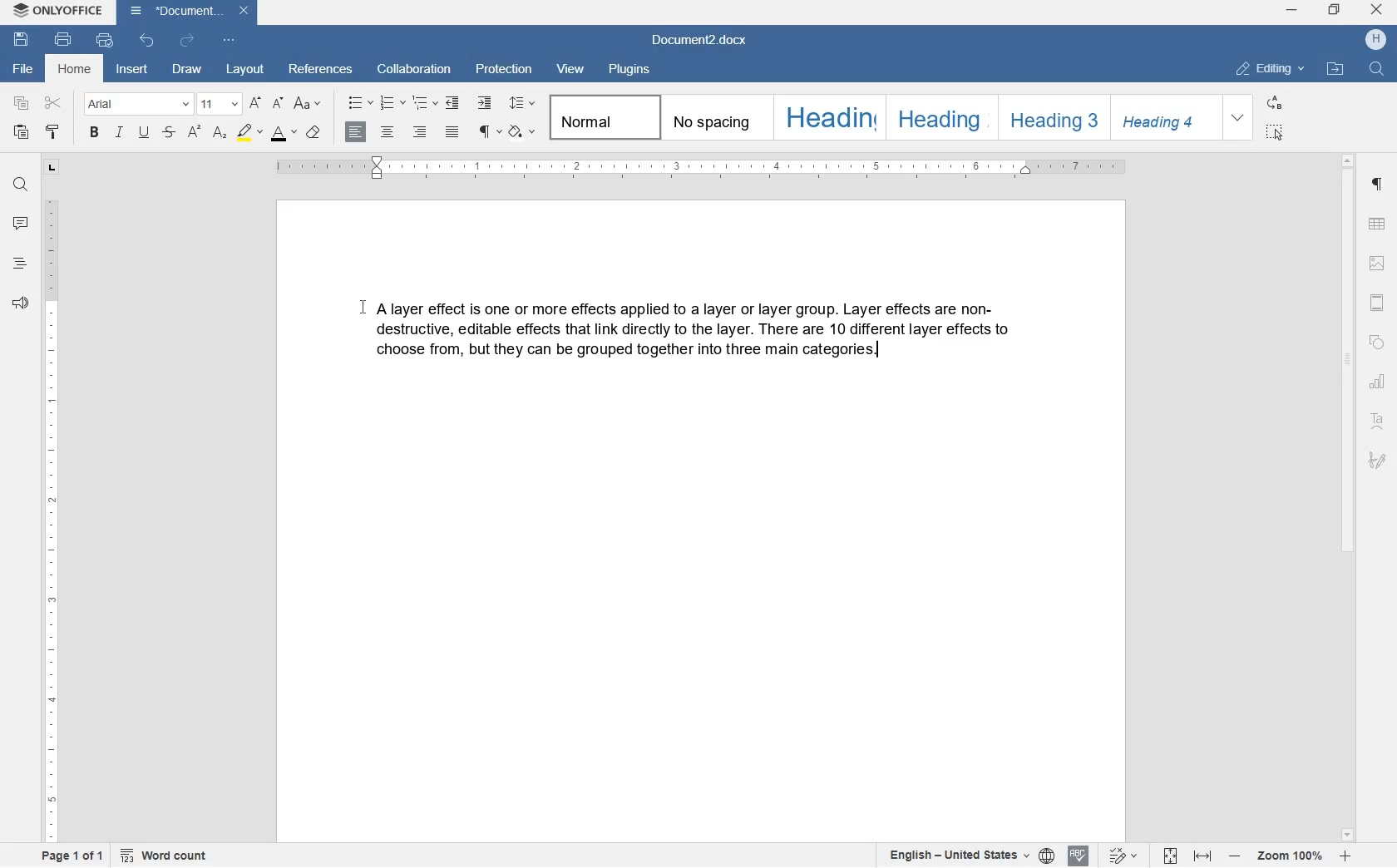  I want to click on bullets, so click(359, 103).